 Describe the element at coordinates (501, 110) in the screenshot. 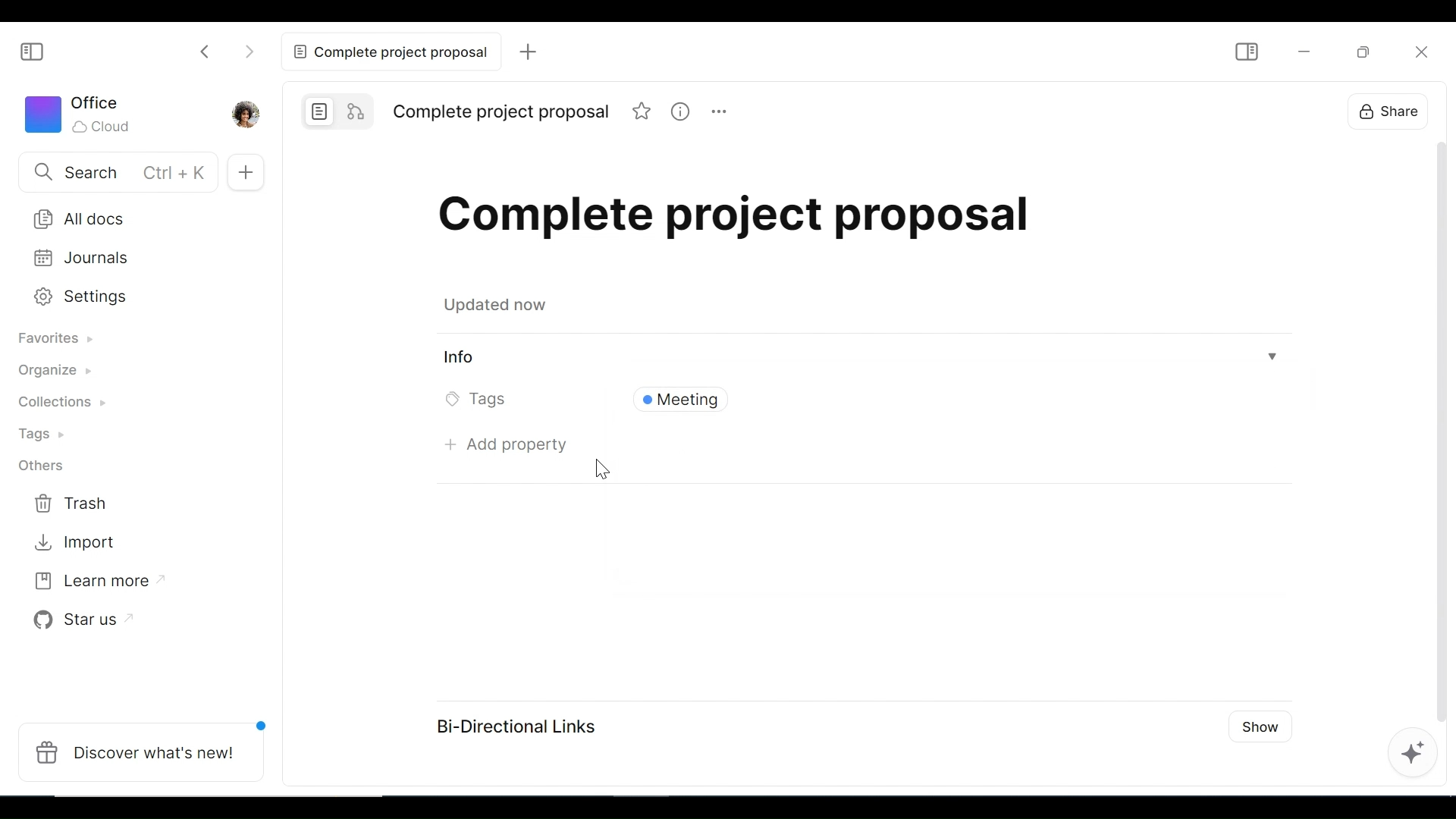

I see `Title` at that location.